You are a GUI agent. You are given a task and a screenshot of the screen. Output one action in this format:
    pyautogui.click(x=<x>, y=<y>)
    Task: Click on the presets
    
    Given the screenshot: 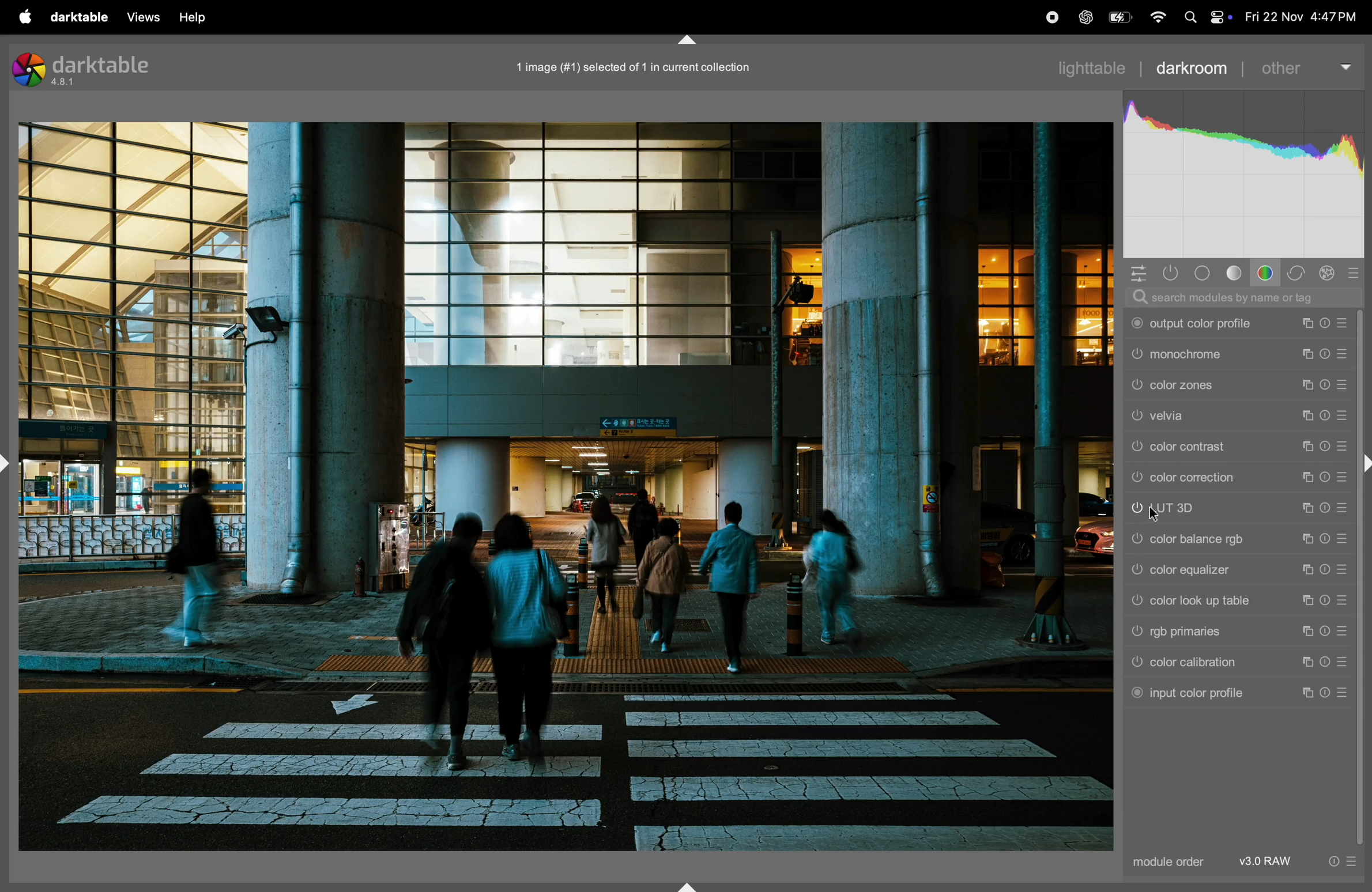 What is the action you would take?
    pyautogui.click(x=1345, y=694)
    